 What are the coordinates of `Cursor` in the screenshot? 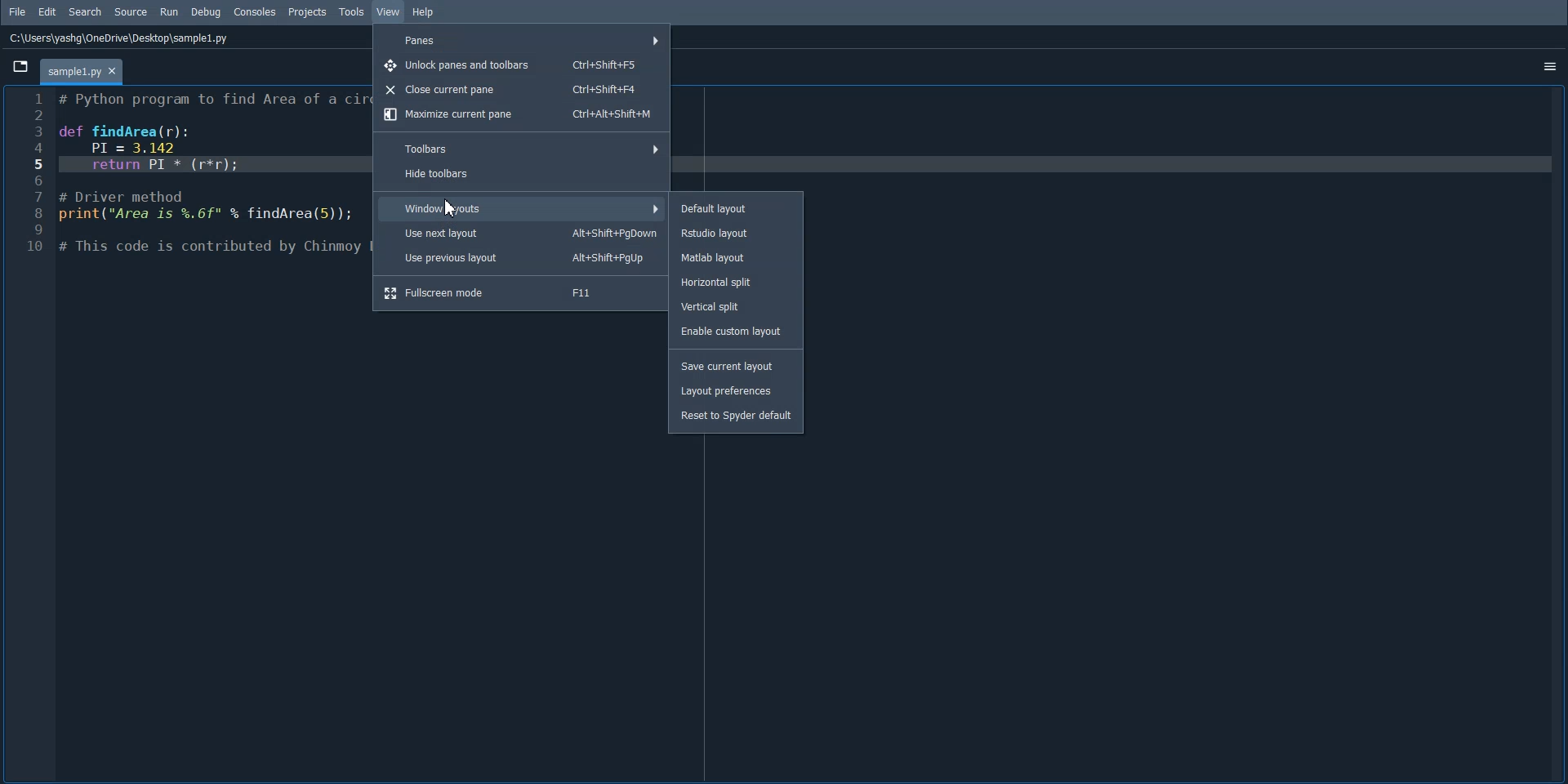 It's located at (449, 210).